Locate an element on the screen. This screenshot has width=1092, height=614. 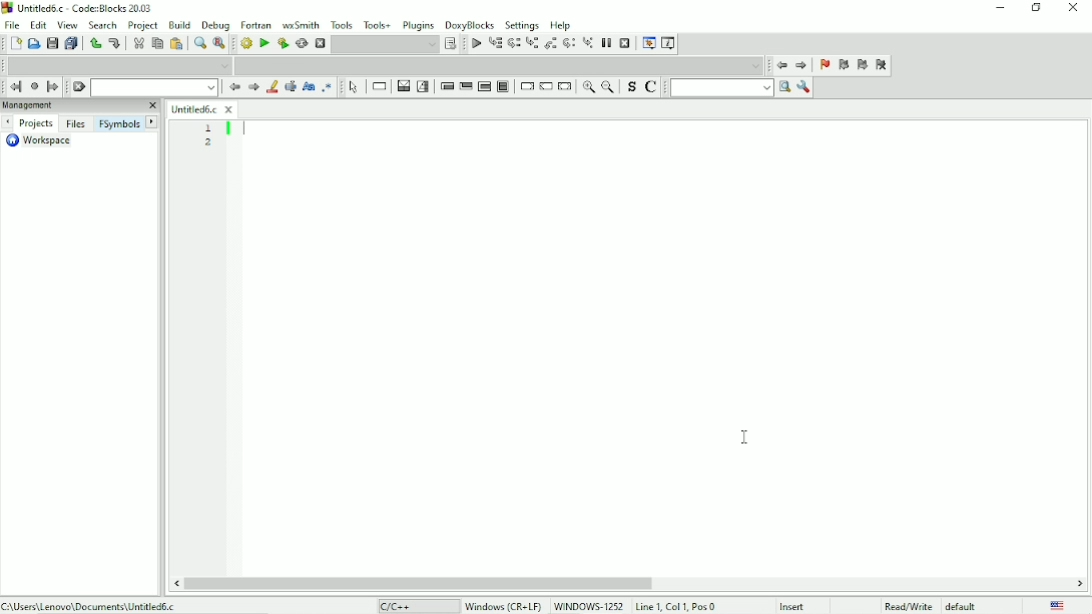
Next is located at coordinates (152, 121).